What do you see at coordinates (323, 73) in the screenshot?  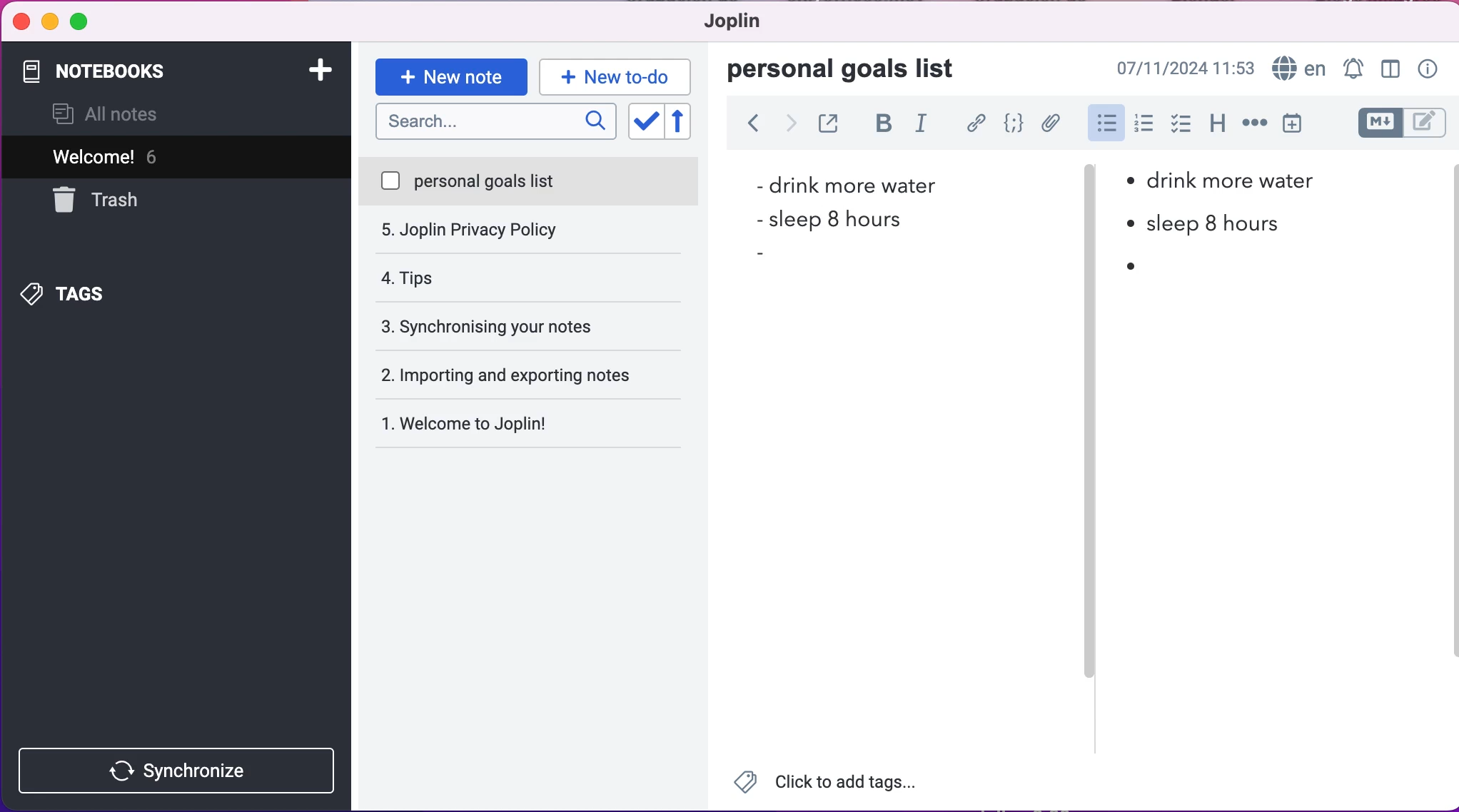 I see `add notebook` at bounding box center [323, 73].